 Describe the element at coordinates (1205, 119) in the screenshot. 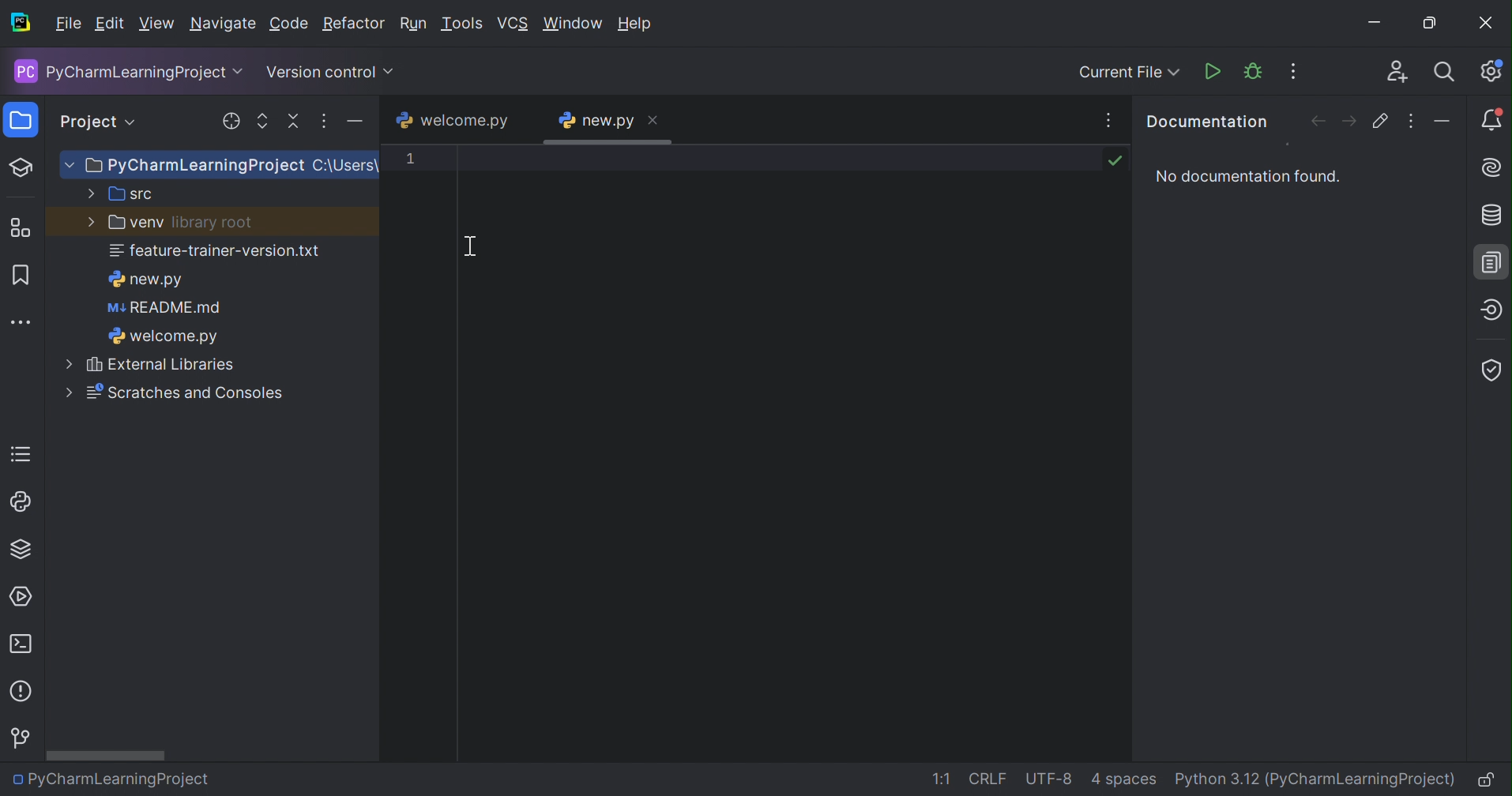

I see `Documentation` at that location.